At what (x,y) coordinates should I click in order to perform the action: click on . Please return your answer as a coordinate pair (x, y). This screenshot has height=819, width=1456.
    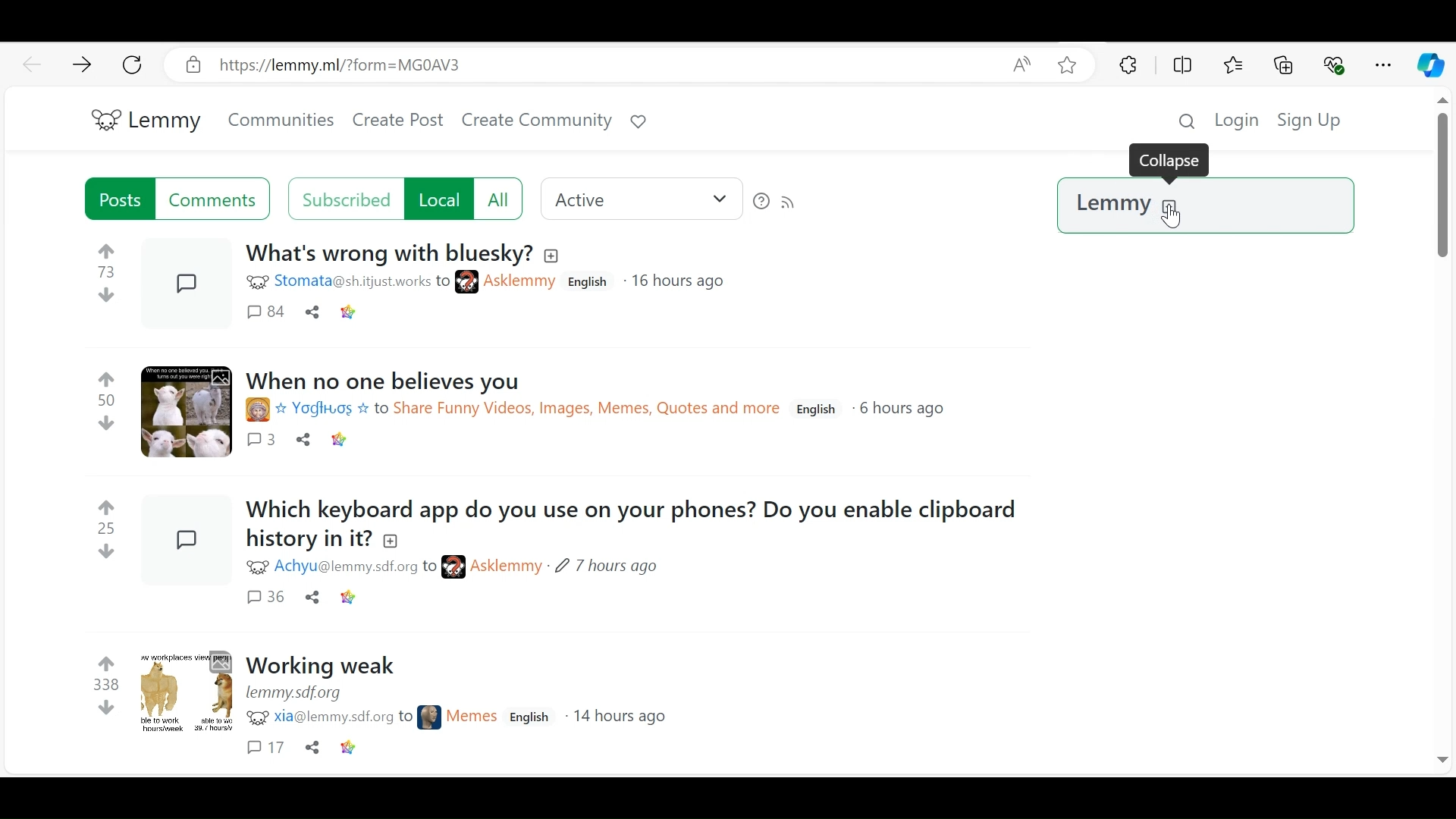
    Looking at the image, I should click on (315, 746).